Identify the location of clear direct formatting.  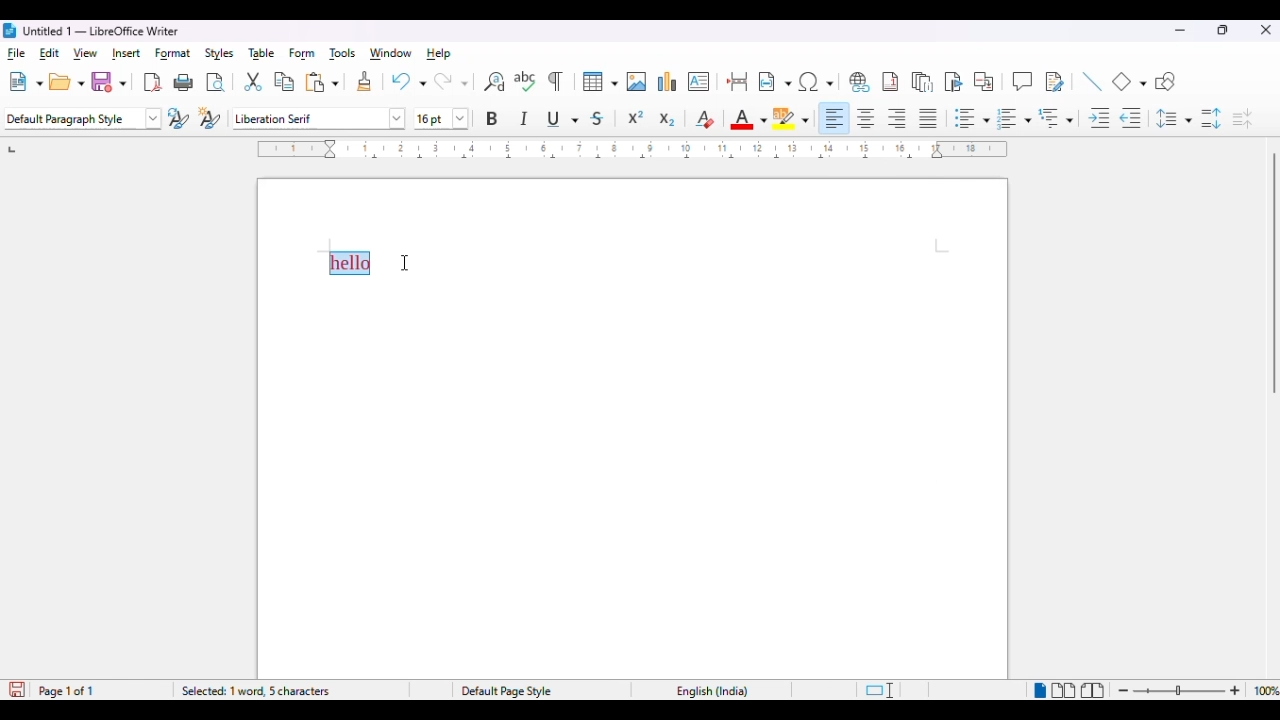
(704, 119).